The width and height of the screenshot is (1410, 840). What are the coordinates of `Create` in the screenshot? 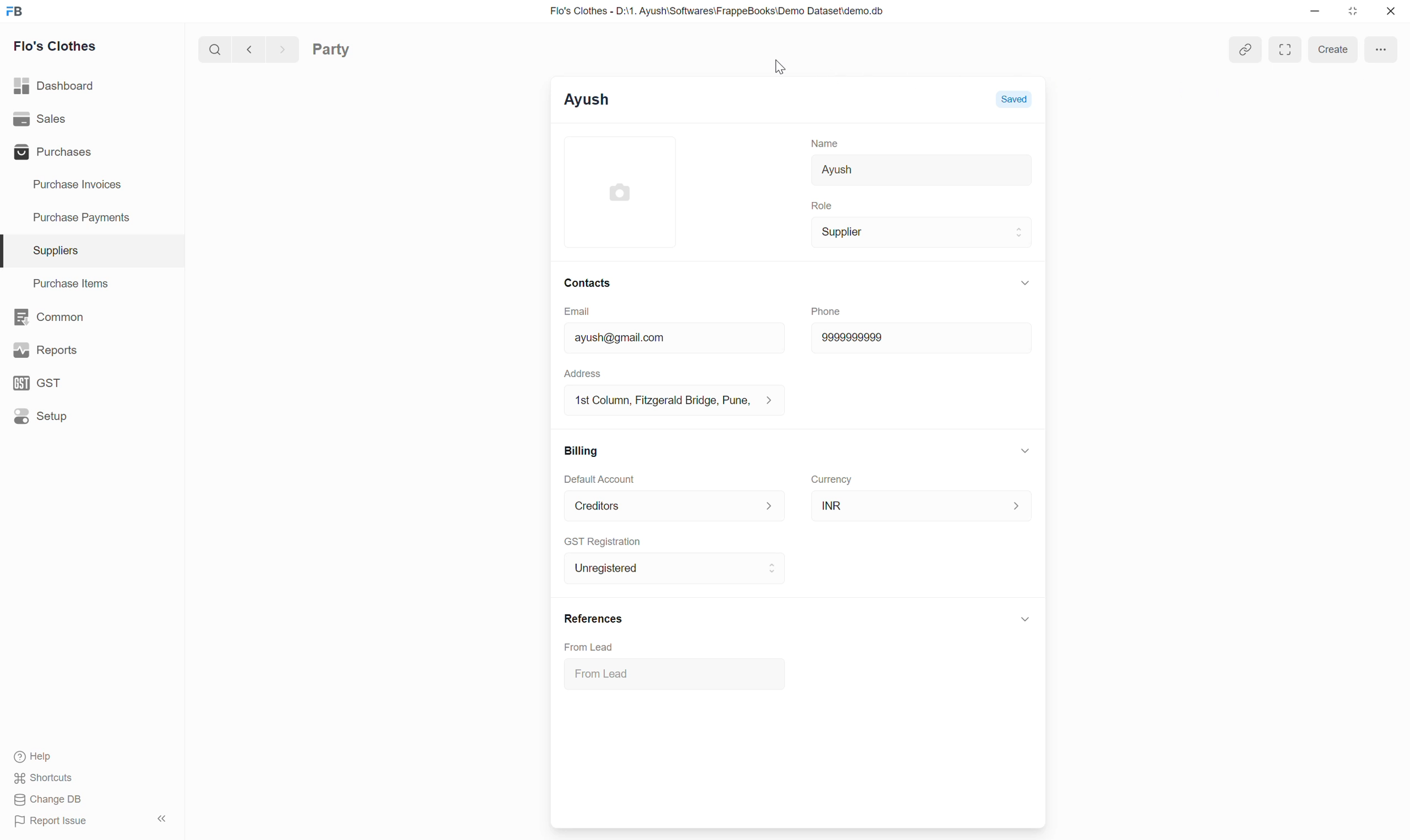 It's located at (1333, 49).